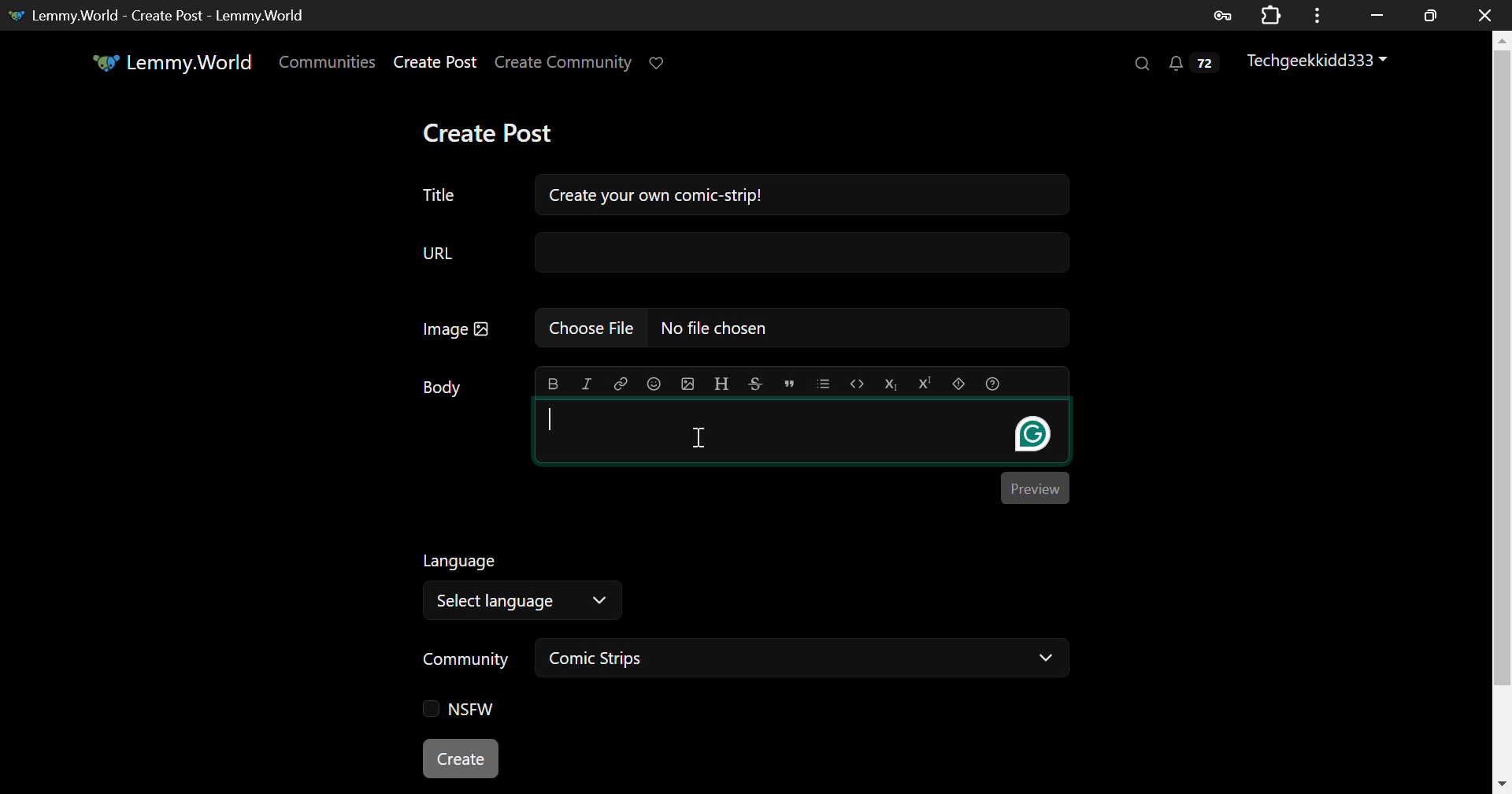 Image resolution: width=1512 pixels, height=794 pixels. What do you see at coordinates (823, 382) in the screenshot?
I see `List` at bounding box center [823, 382].